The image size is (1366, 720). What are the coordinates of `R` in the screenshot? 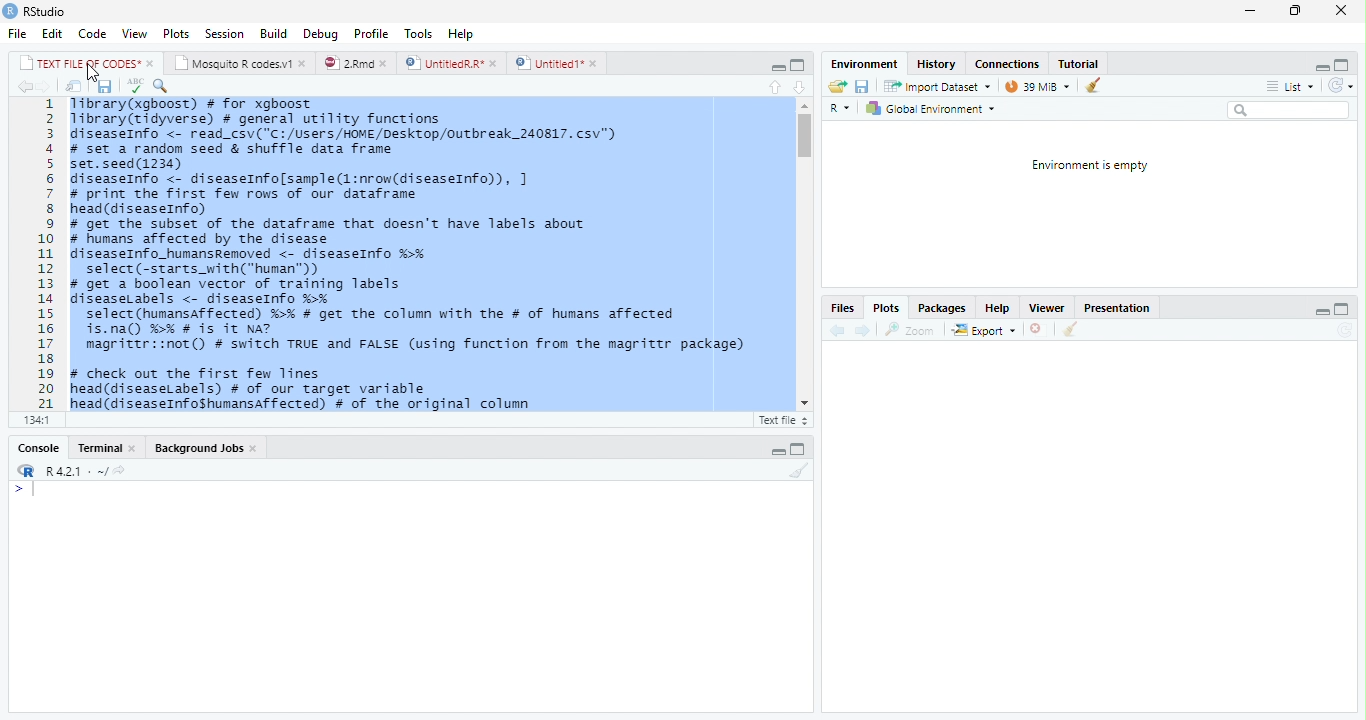 It's located at (840, 106).